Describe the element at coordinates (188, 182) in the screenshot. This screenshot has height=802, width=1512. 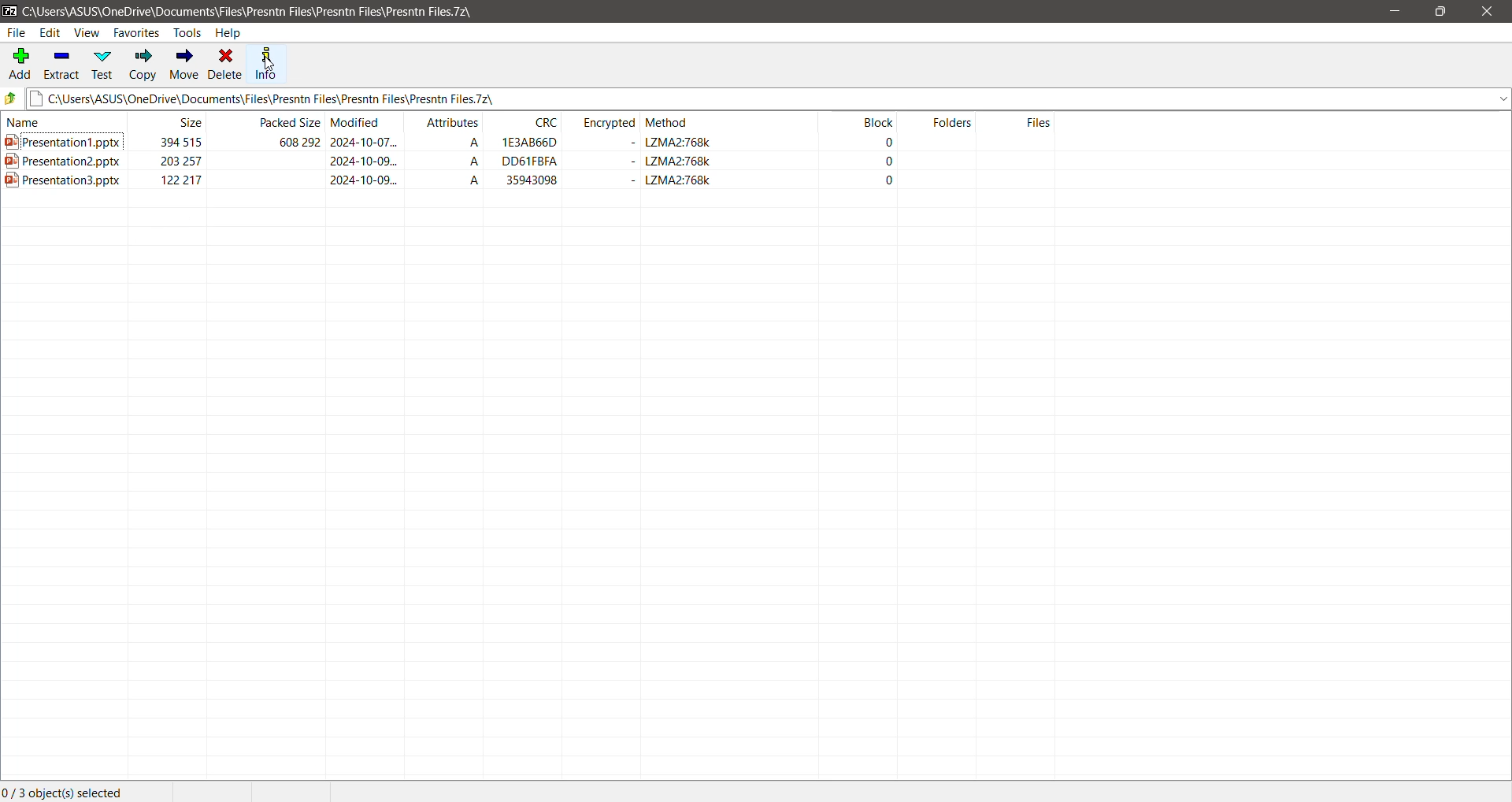
I see `122217` at that location.